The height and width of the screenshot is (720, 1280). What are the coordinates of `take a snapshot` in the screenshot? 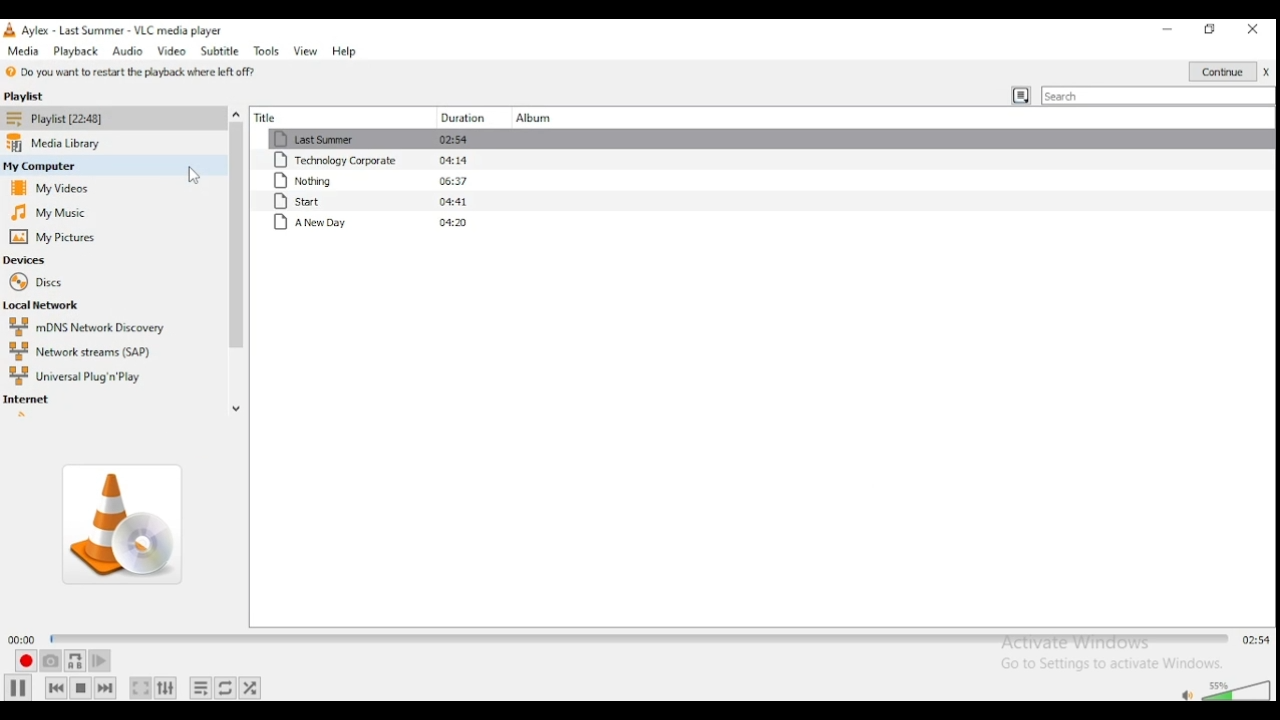 It's located at (50, 661).